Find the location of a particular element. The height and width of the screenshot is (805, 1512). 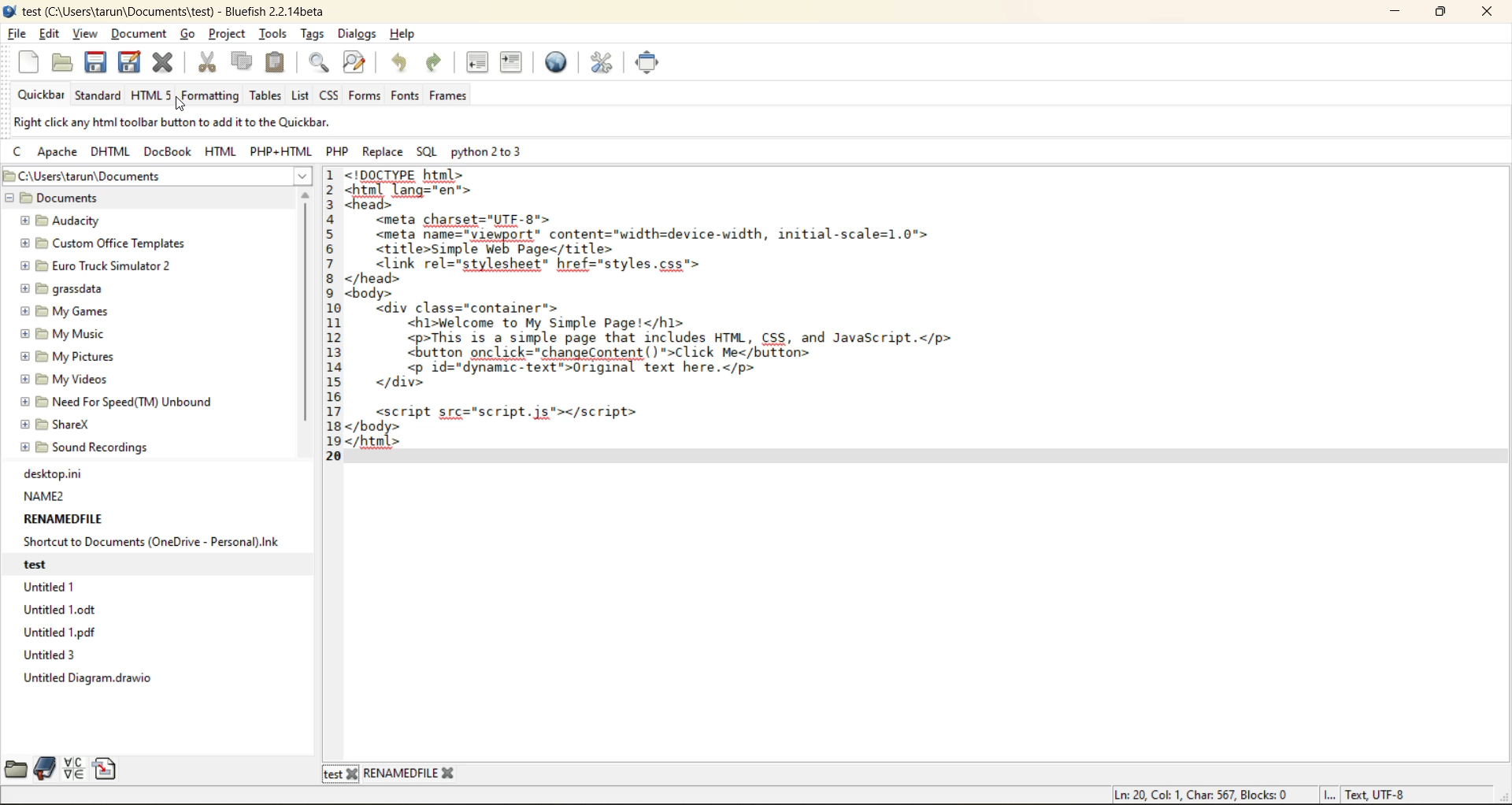

maximize is located at coordinates (1446, 12).